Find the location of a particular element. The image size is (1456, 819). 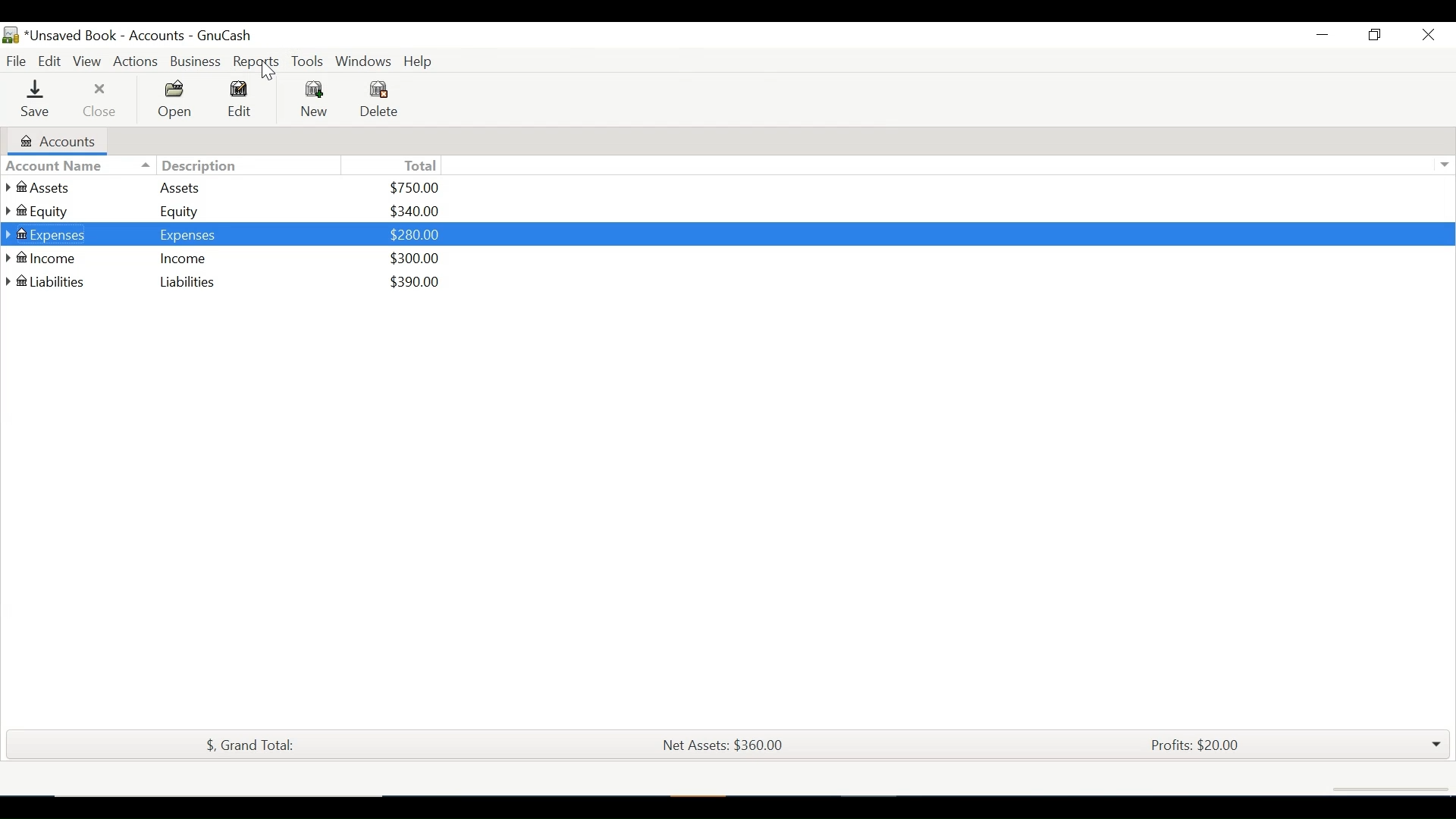

Business is located at coordinates (196, 58).